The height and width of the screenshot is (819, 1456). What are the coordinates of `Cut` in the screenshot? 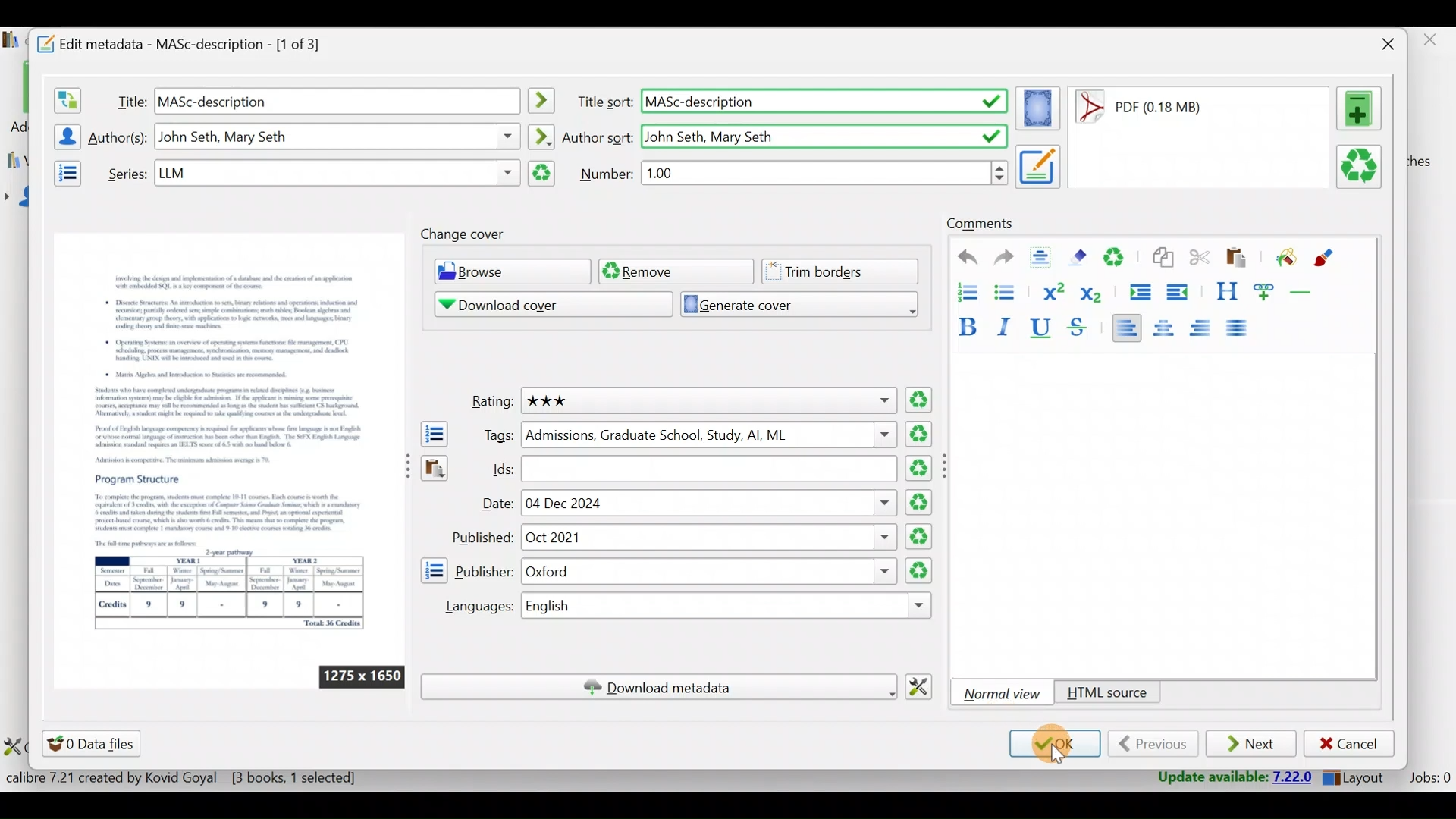 It's located at (1200, 260).